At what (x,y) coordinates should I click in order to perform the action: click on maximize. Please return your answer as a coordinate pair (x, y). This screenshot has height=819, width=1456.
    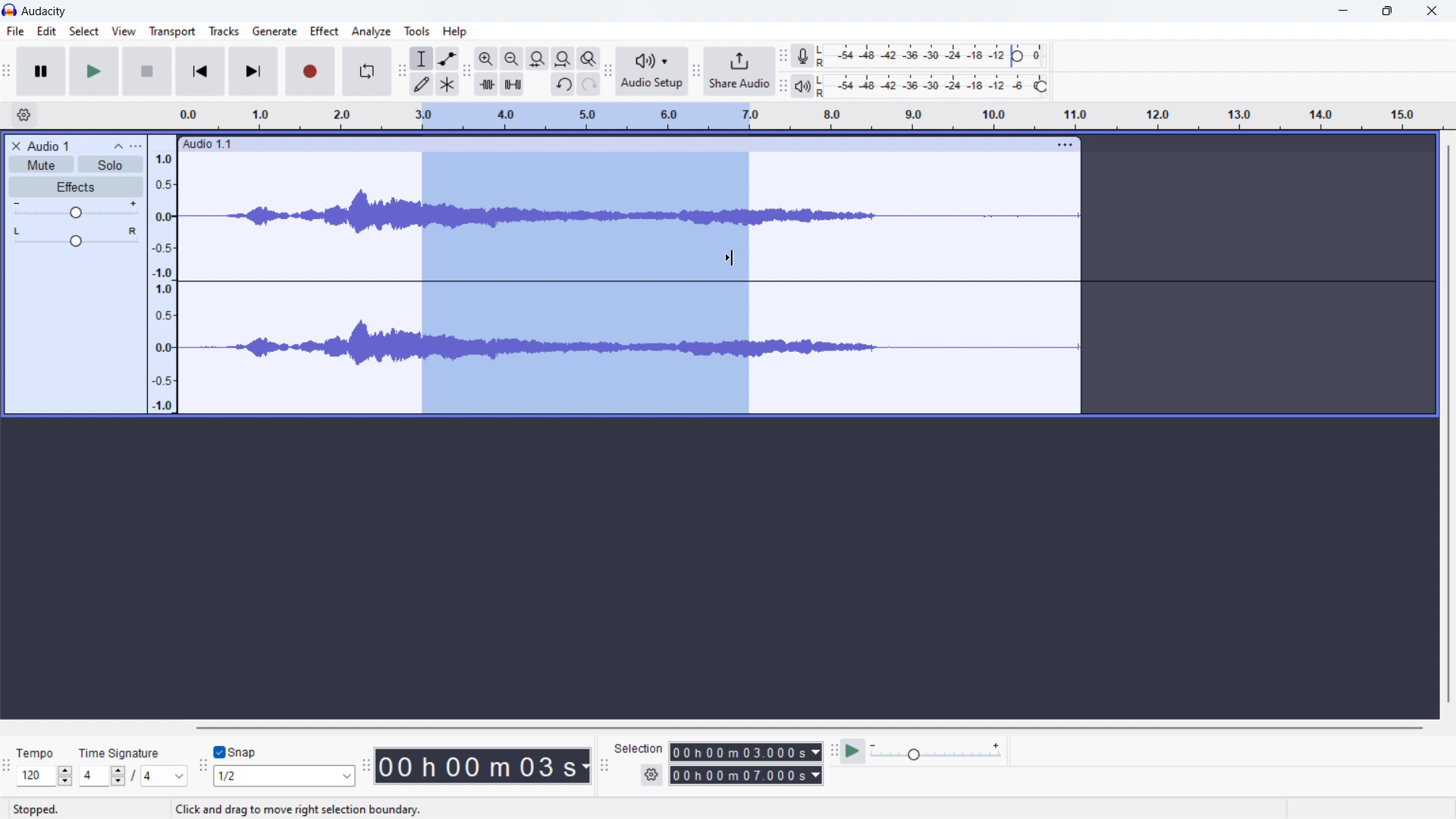
    Looking at the image, I should click on (1387, 11).